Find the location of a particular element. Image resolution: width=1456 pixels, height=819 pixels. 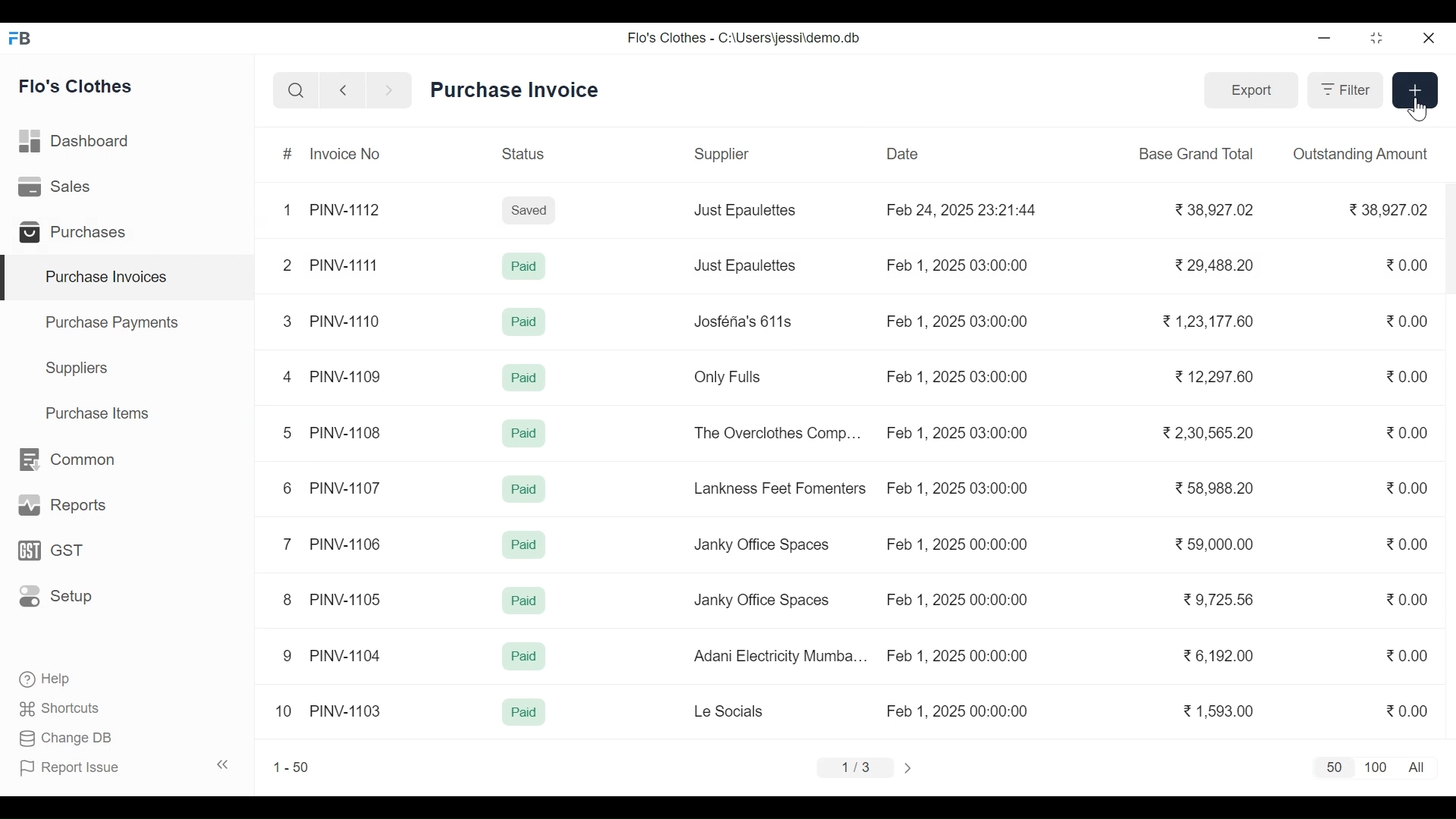

6 is located at coordinates (287, 487).